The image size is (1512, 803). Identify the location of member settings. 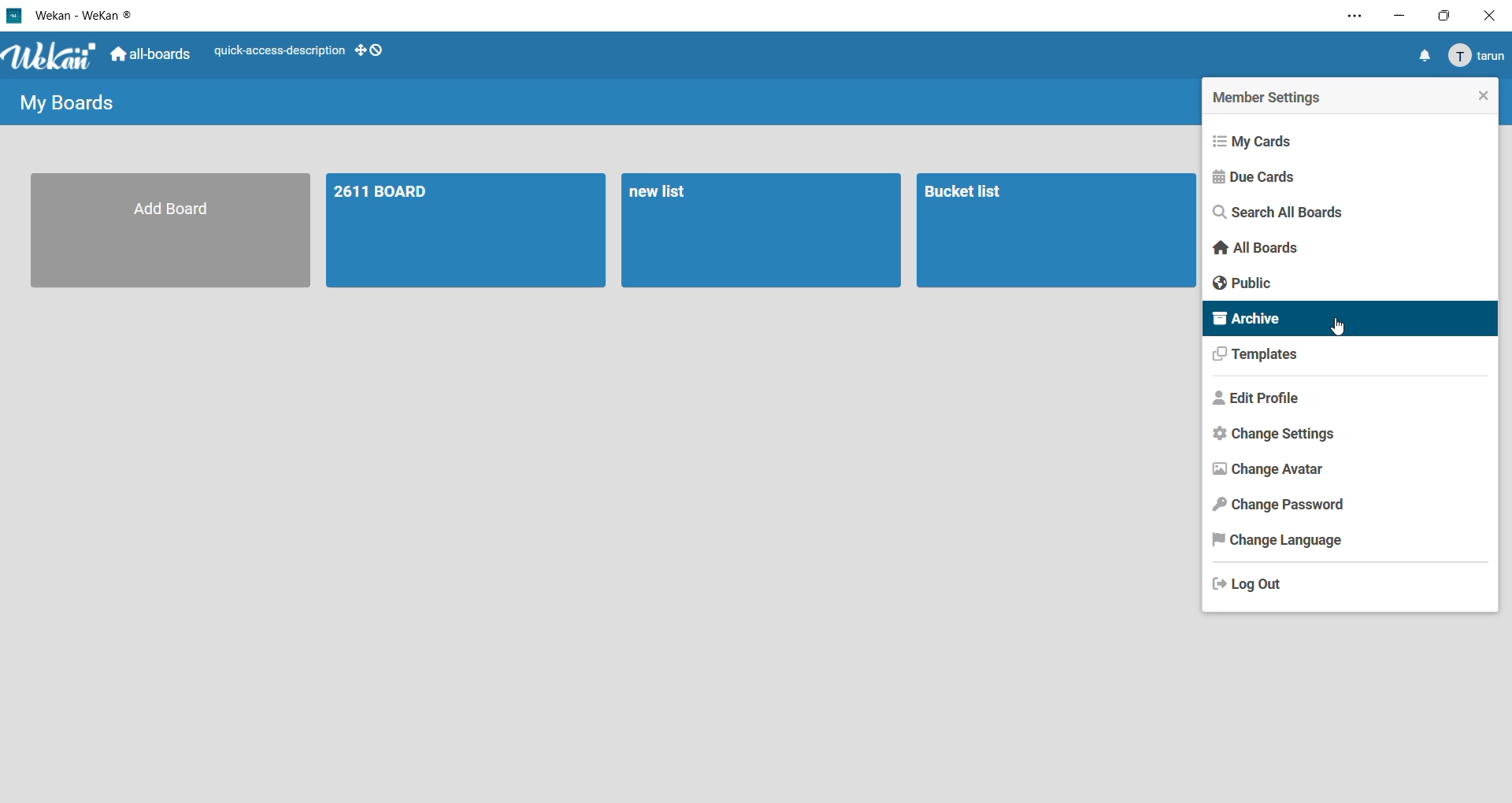
(1276, 96).